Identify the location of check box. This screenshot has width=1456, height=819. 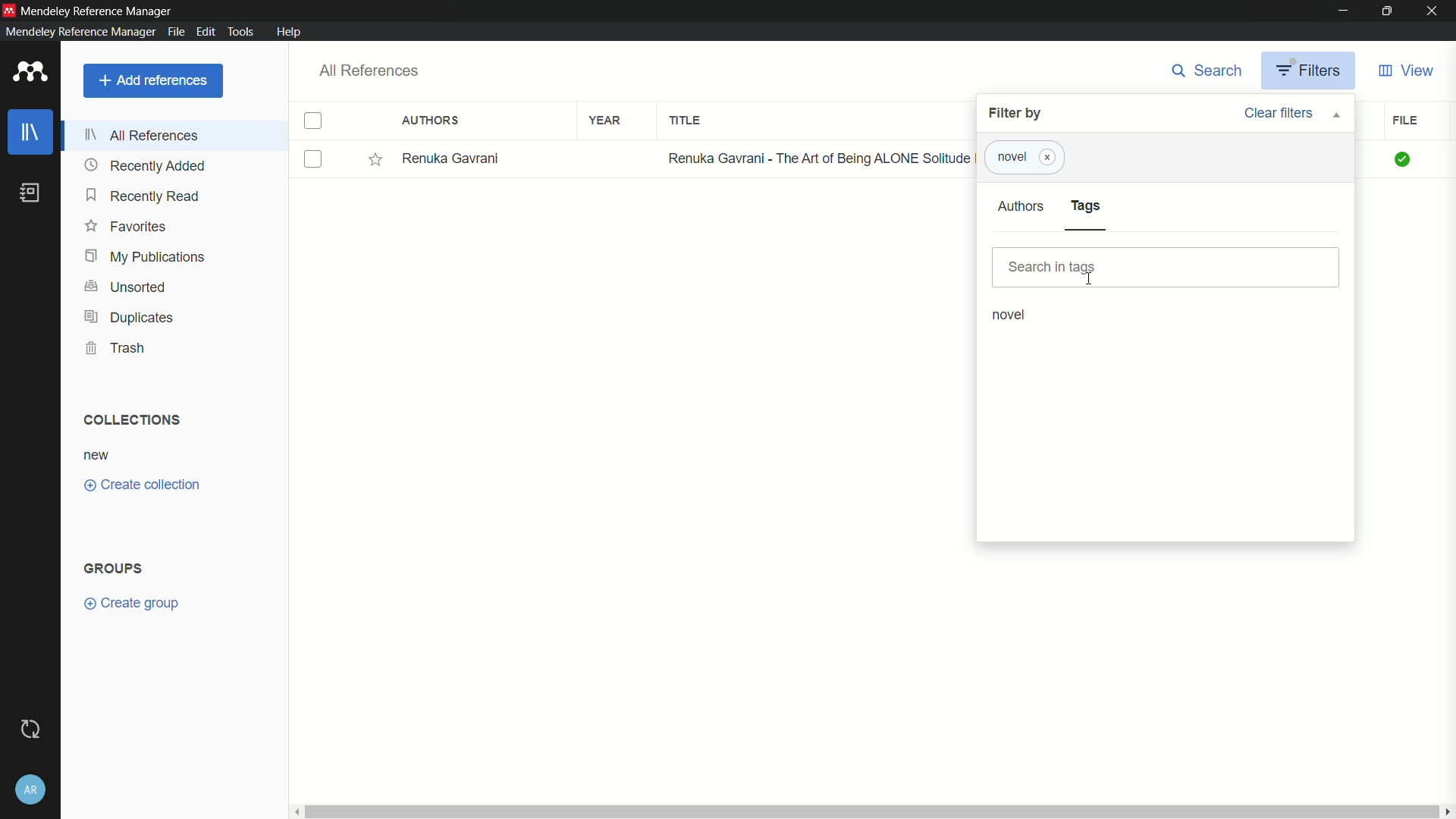
(313, 121).